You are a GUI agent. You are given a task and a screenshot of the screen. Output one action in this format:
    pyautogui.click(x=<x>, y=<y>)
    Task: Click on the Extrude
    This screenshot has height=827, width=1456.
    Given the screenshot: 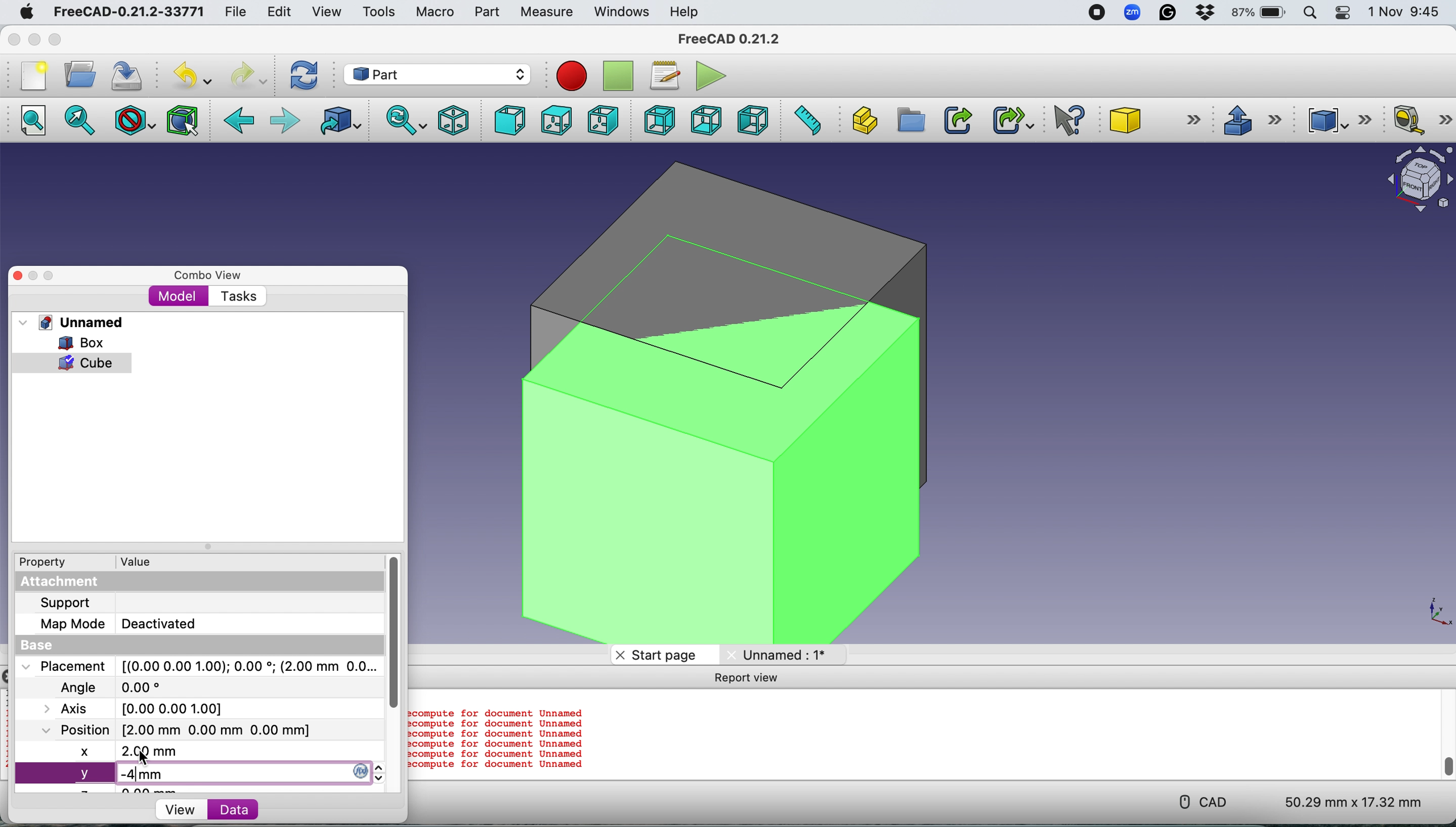 What is the action you would take?
    pyautogui.click(x=1251, y=119)
    